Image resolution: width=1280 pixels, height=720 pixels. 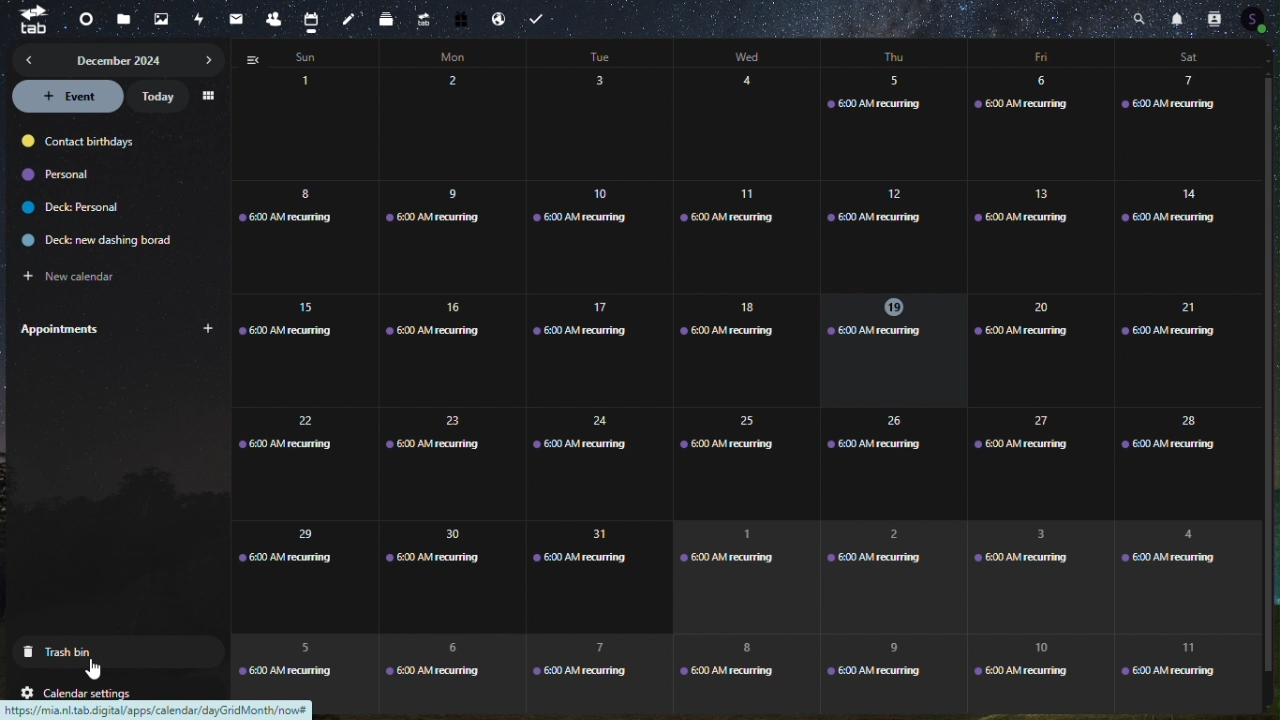 What do you see at coordinates (1217, 17) in the screenshot?
I see `contacts` at bounding box center [1217, 17].